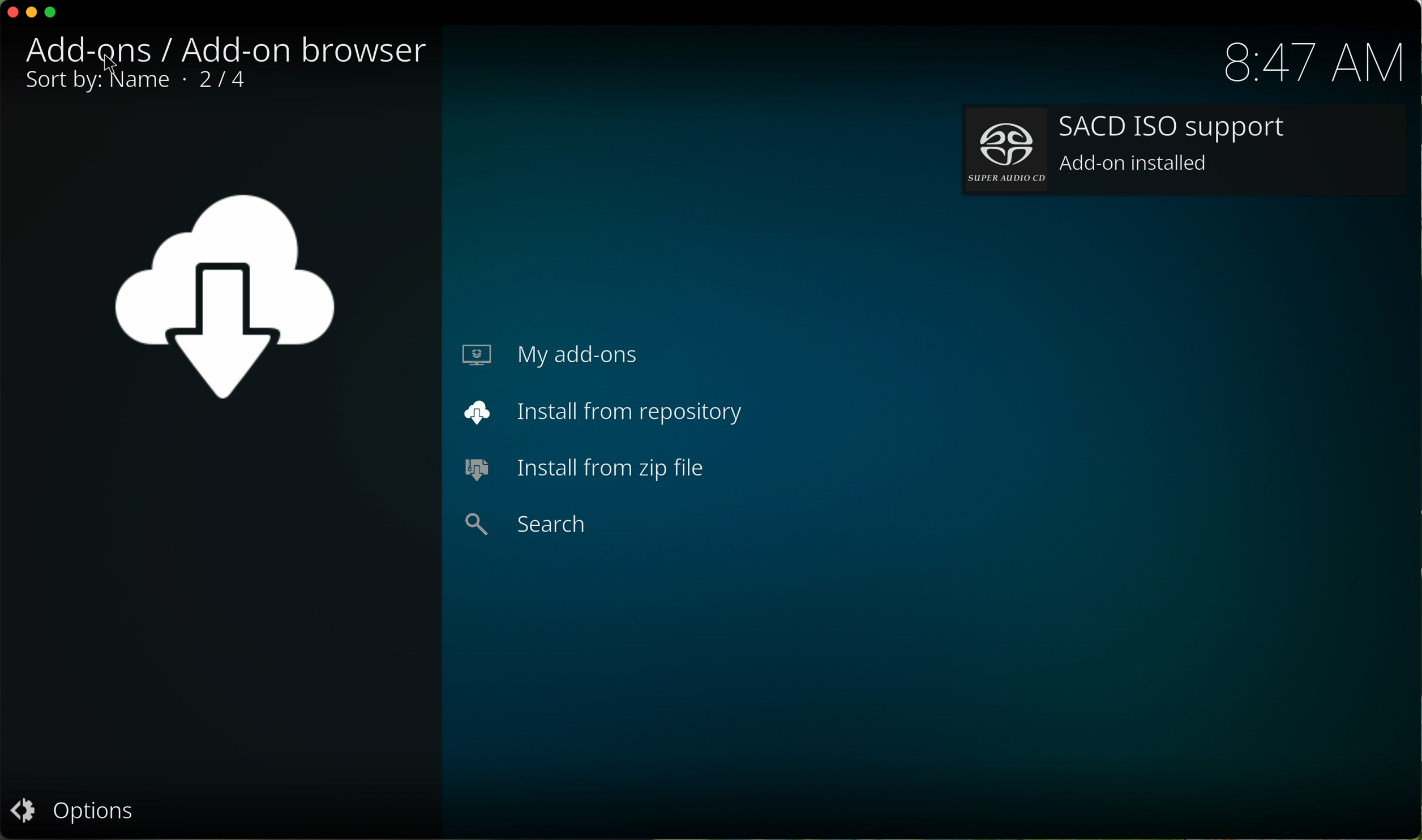 Image resolution: width=1422 pixels, height=840 pixels. Describe the element at coordinates (534, 522) in the screenshot. I see `search` at that location.